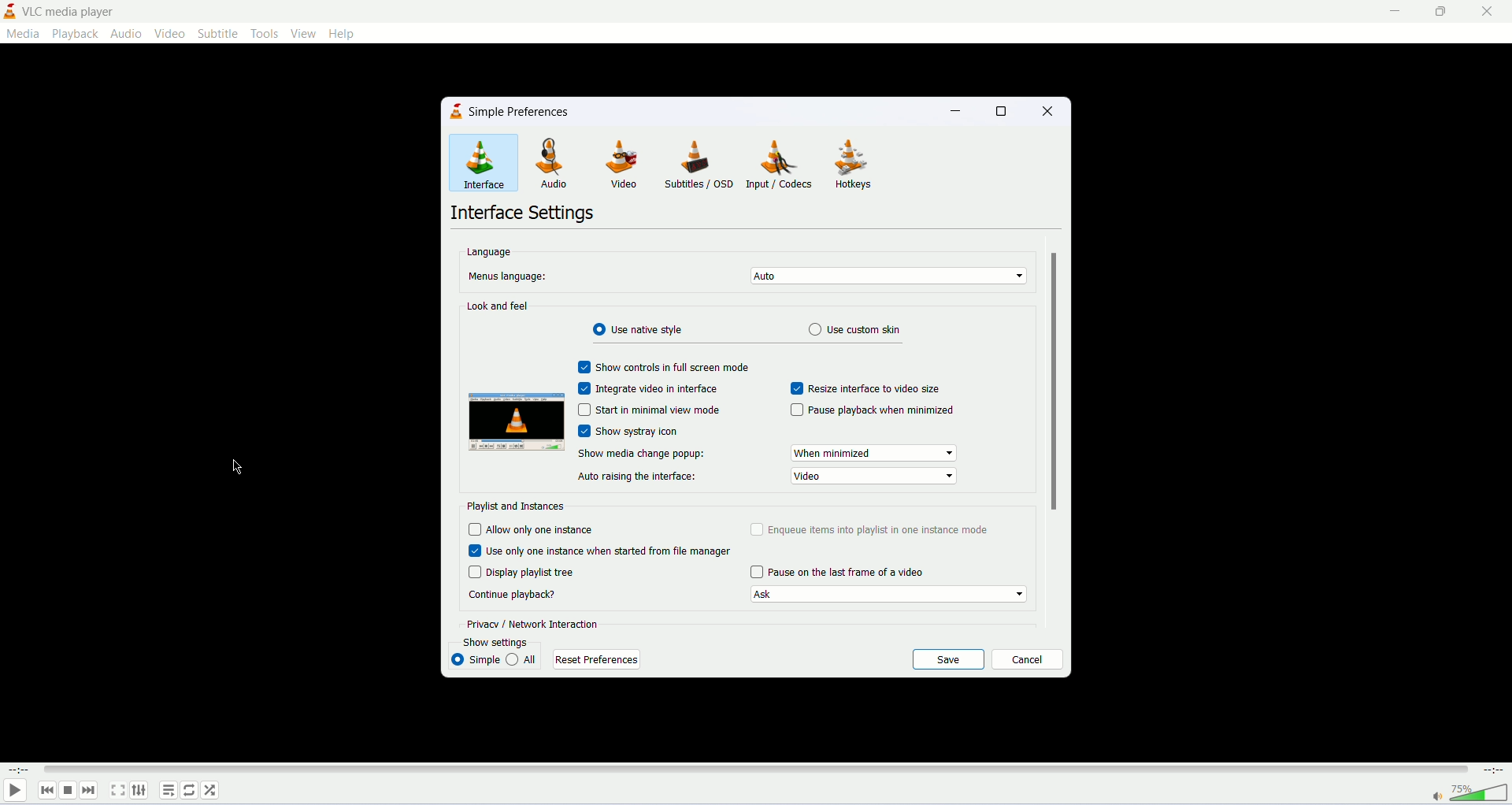 The height and width of the screenshot is (805, 1512). What do you see at coordinates (475, 659) in the screenshot?
I see `simple` at bounding box center [475, 659].